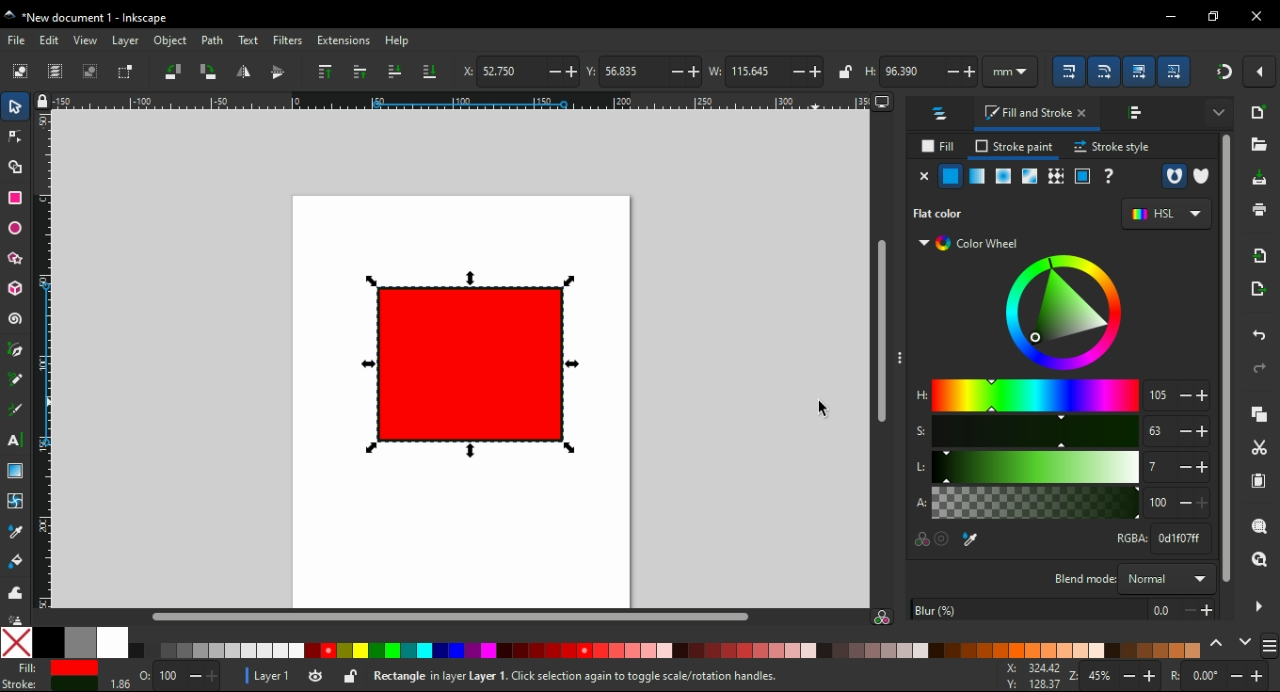  Describe the element at coordinates (1164, 215) in the screenshot. I see `color mode selection` at that location.